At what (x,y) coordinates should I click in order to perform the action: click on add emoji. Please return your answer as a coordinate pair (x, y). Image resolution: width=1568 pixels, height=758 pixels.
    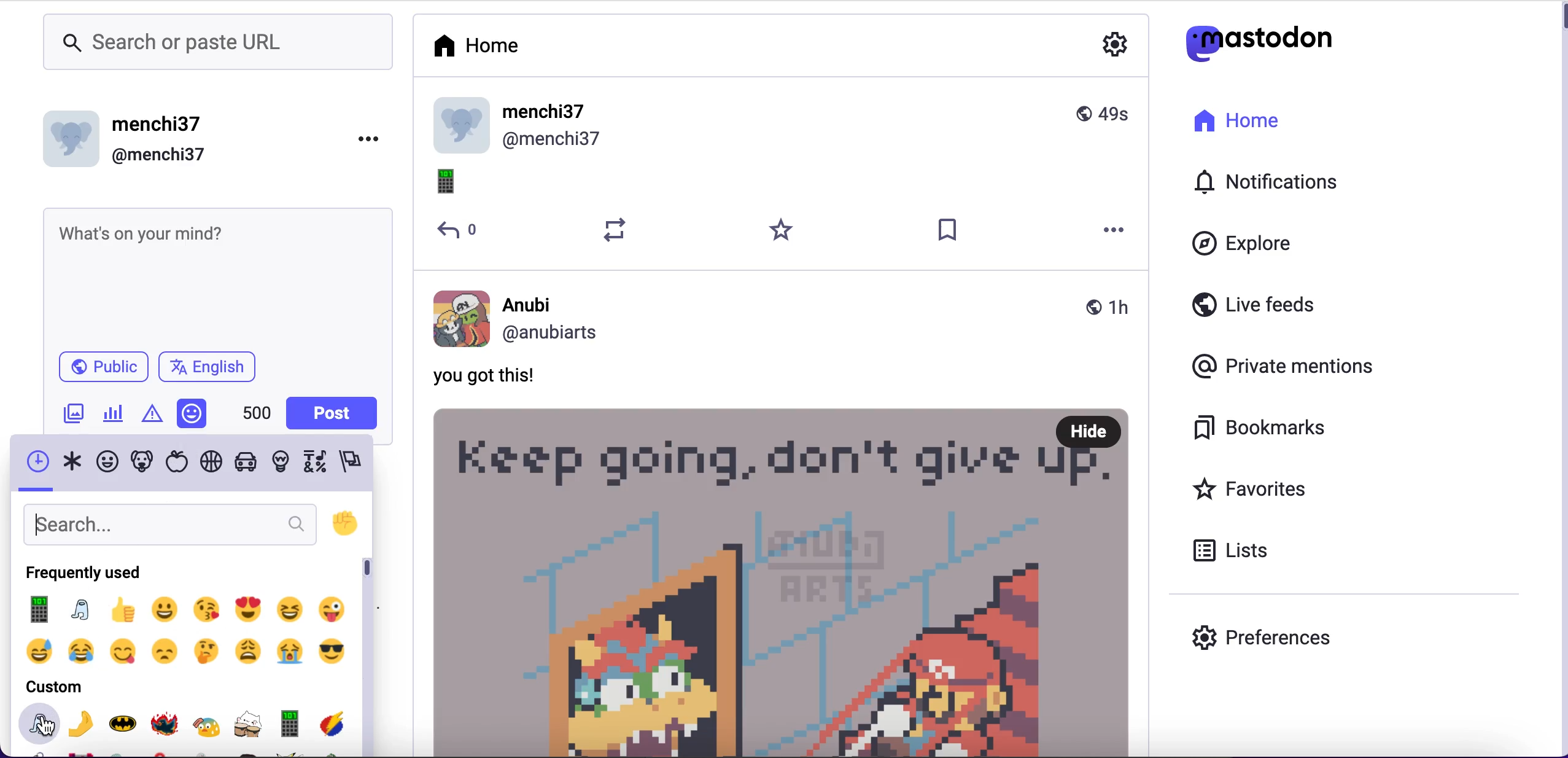
    Looking at the image, I should click on (193, 413).